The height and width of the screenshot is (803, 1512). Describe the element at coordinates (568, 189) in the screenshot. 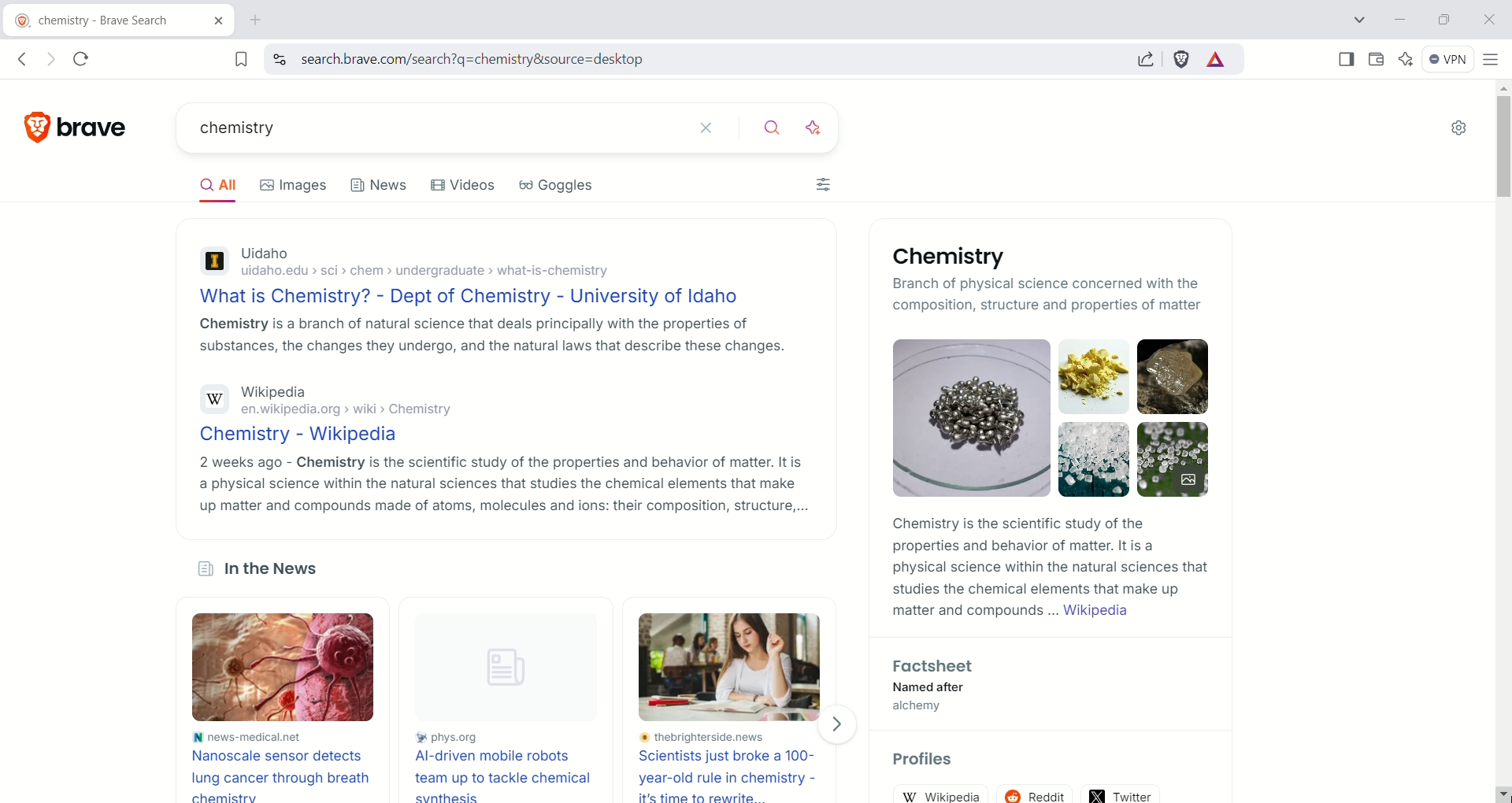

I see `Goggles` at that location.